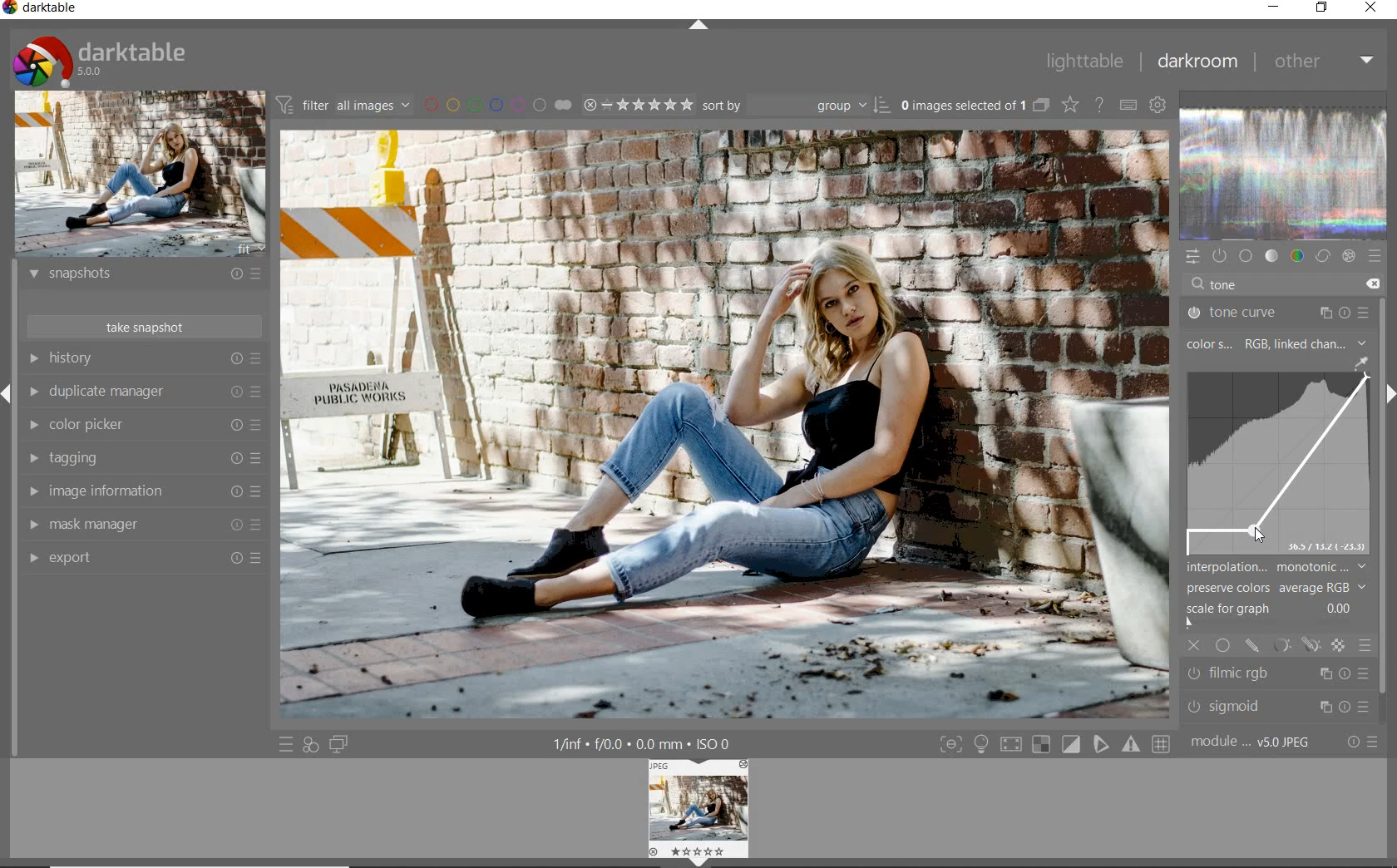  I want to click on cursor position, so click(1257, 535).